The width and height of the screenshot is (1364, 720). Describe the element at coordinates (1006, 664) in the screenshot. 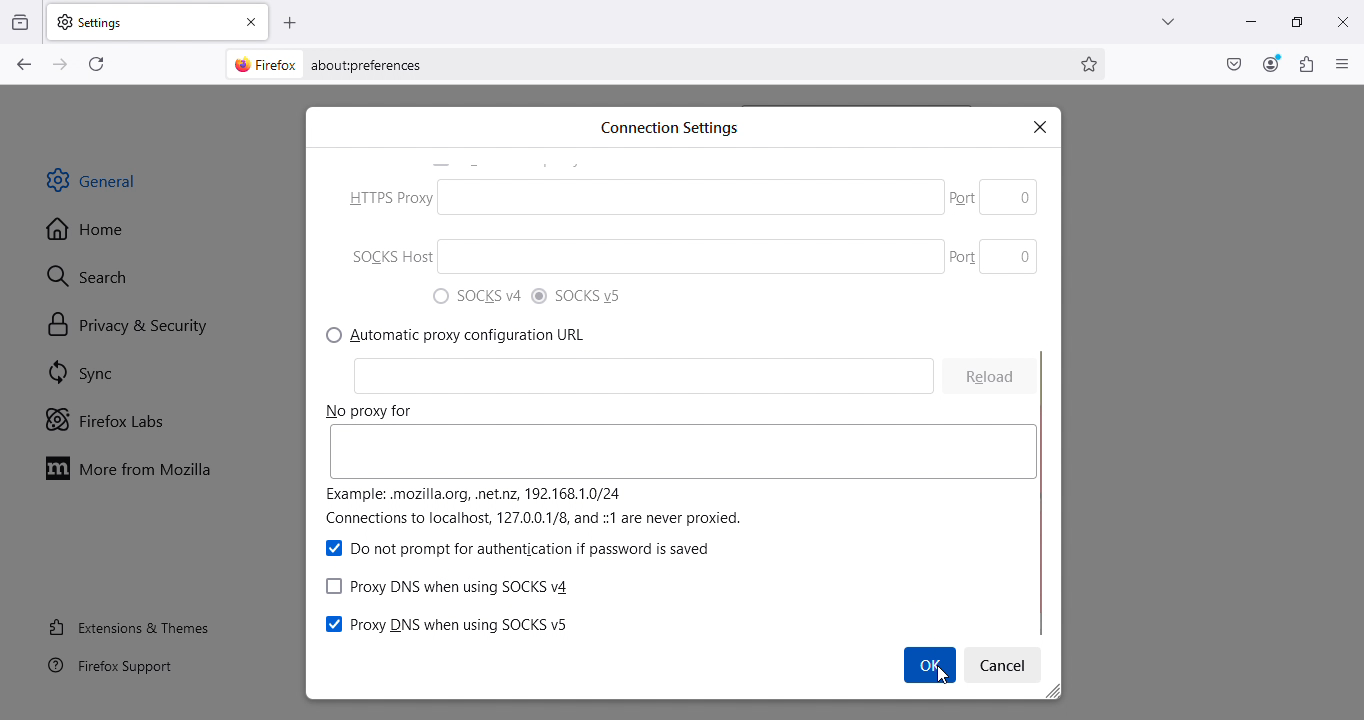

I see `Settings` at that location.